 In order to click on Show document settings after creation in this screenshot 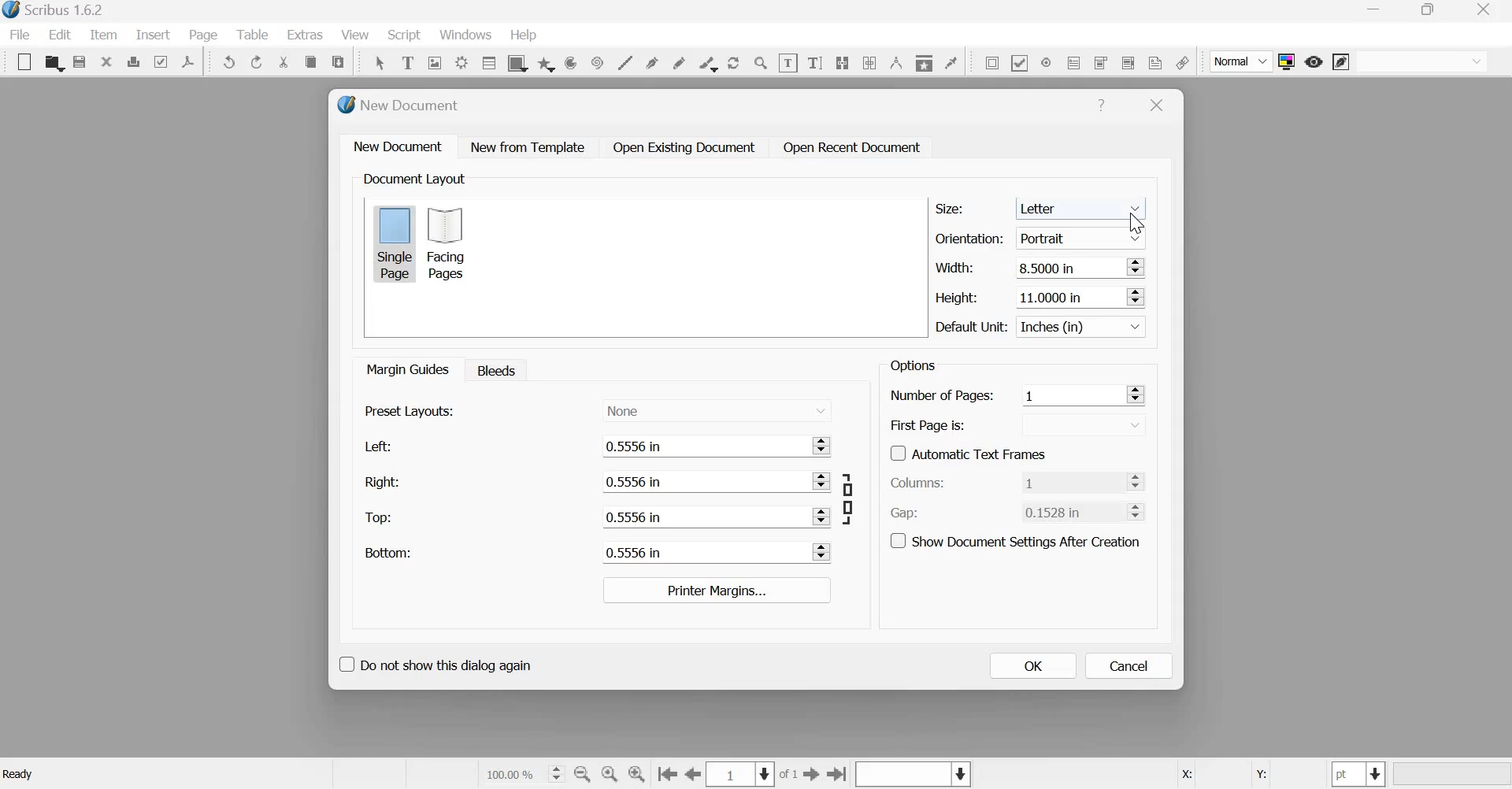, I will do `click(1015, 539)`.